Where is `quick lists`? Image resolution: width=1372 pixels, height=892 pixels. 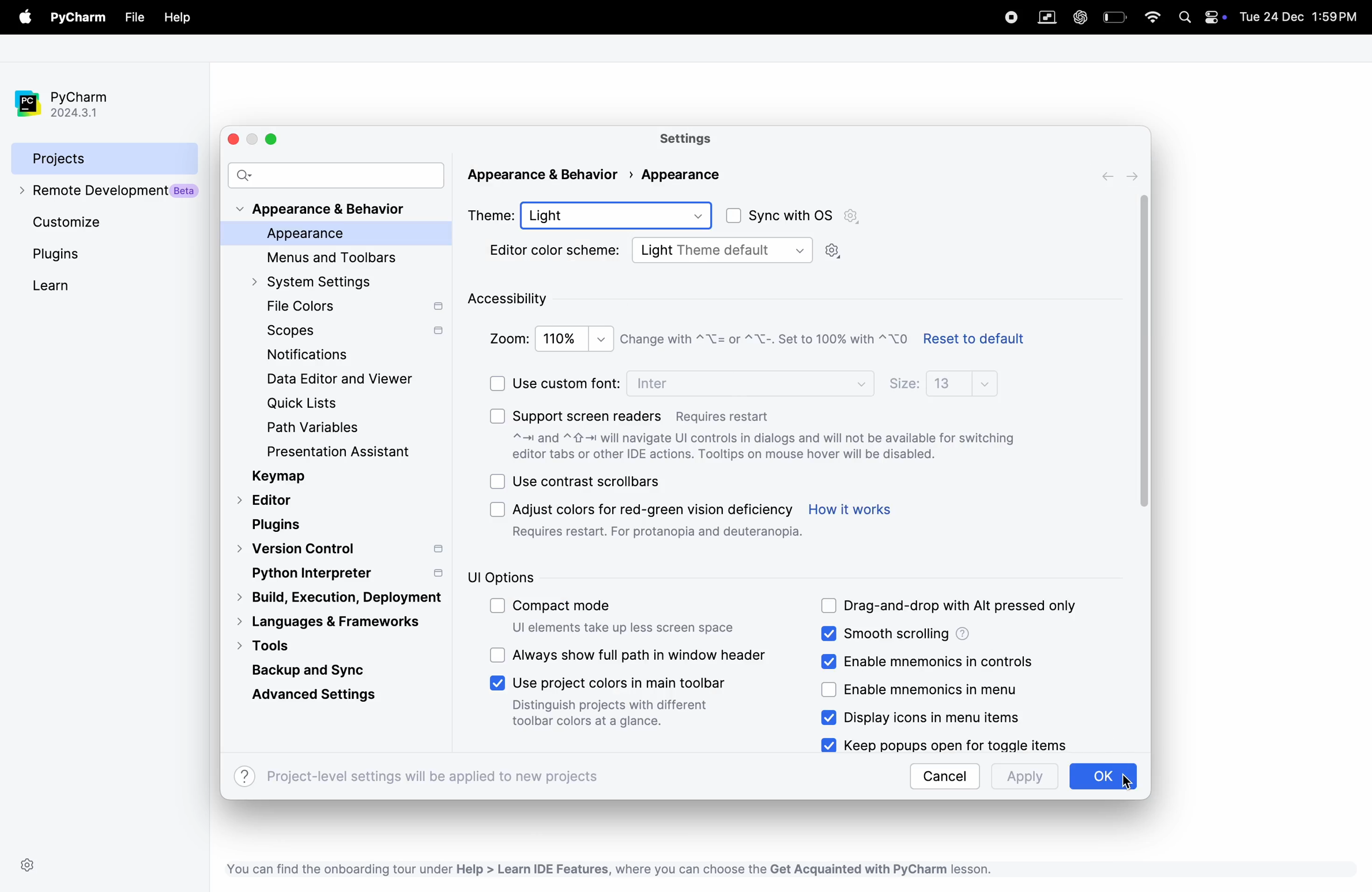
quick lists is located at coordinates (319, 403).